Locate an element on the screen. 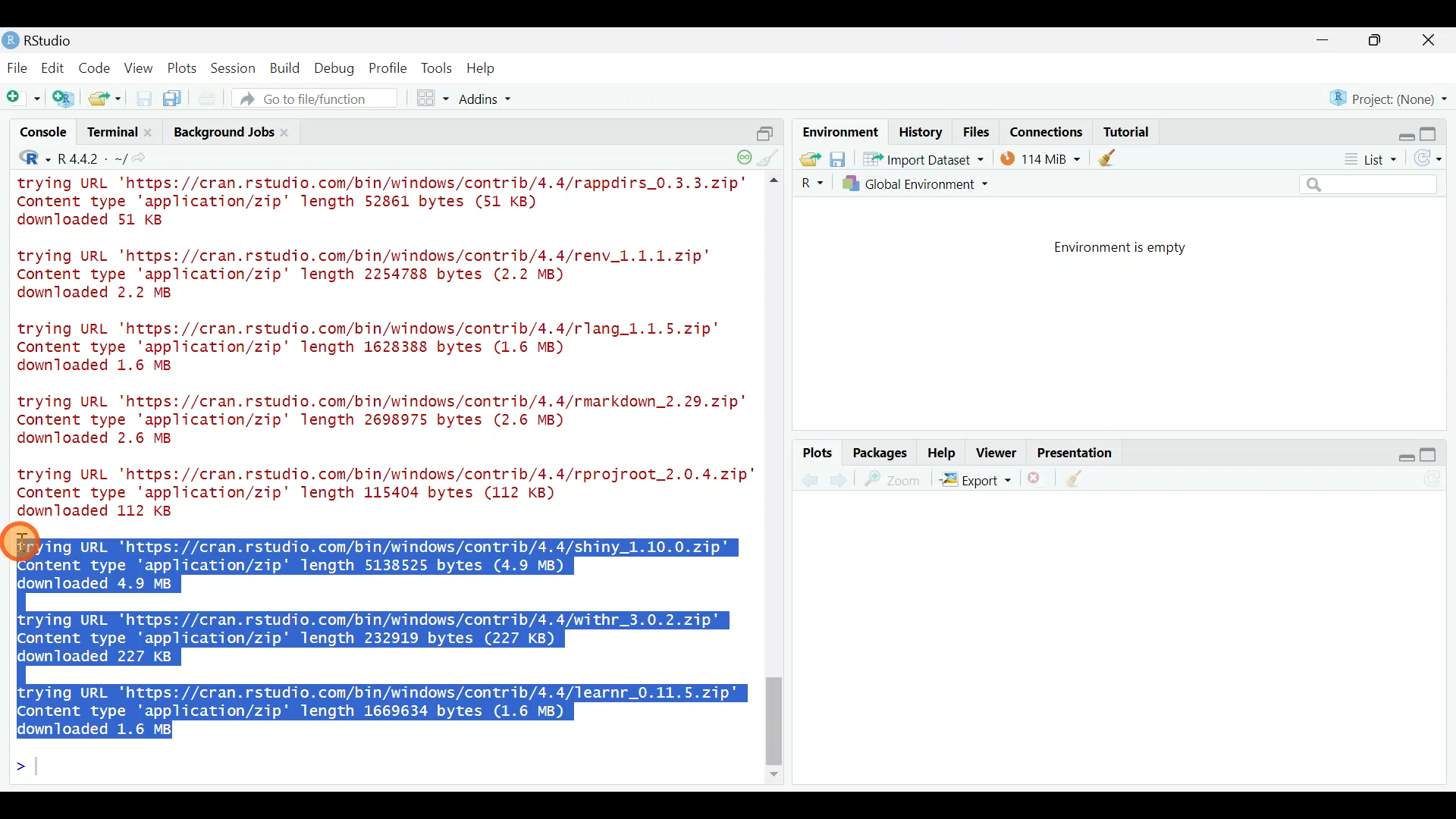 The width and height of the screenshot is (1456, 819). Addins is located at coordinates (487, 101).